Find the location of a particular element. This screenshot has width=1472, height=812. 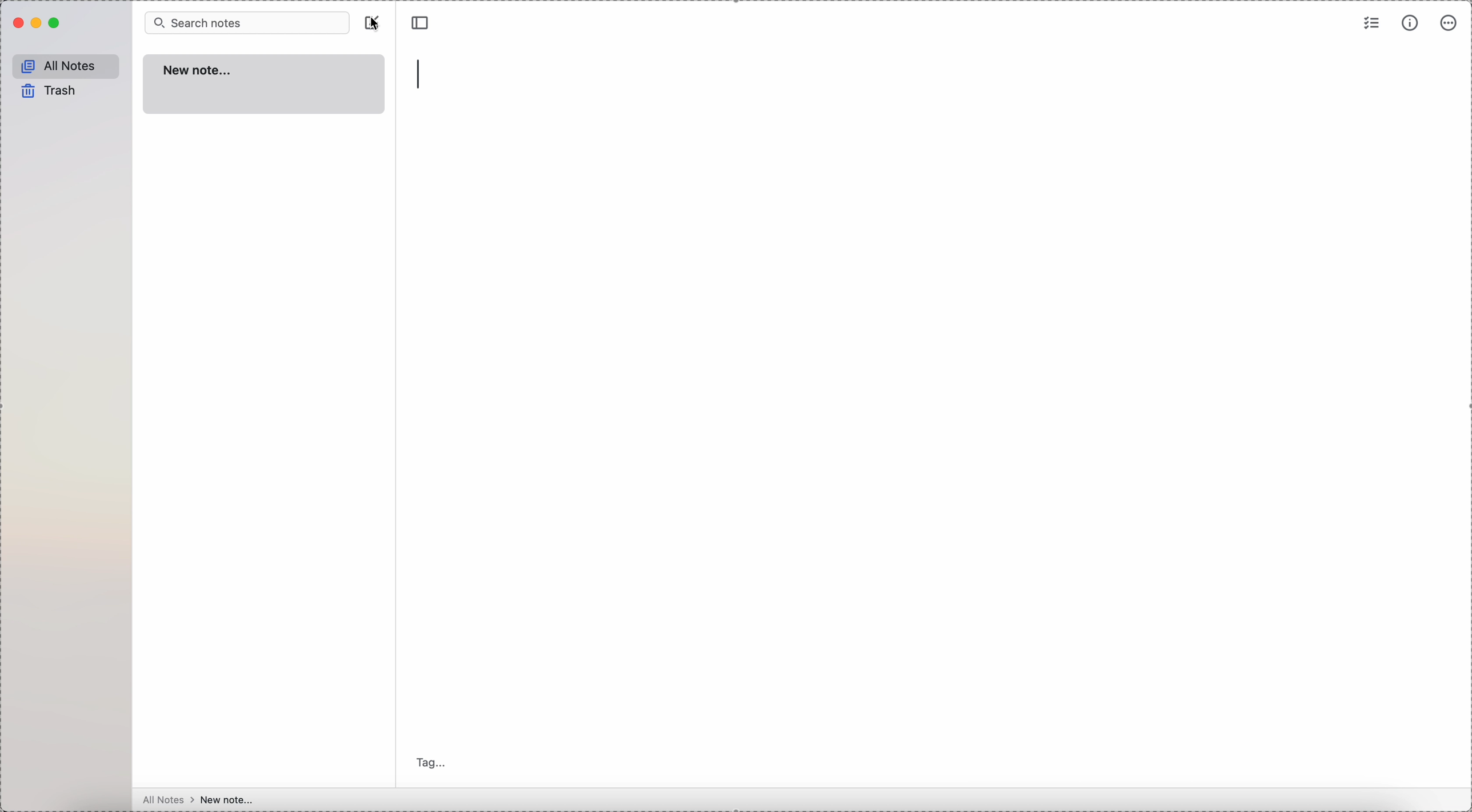

toggle sidebar is located at coordinates (422, 23).